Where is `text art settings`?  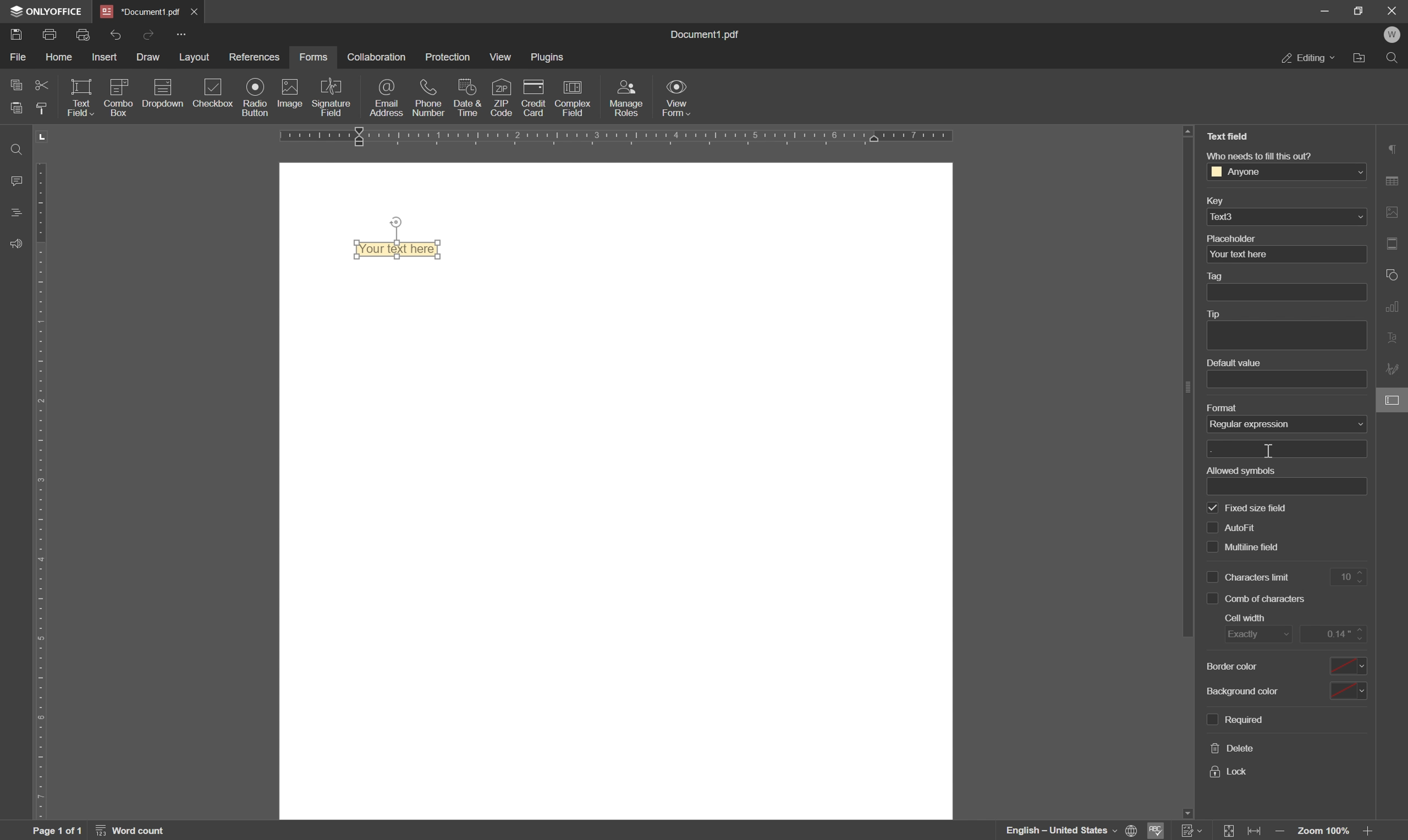
text art settings is located at coordinates (1395, 340).